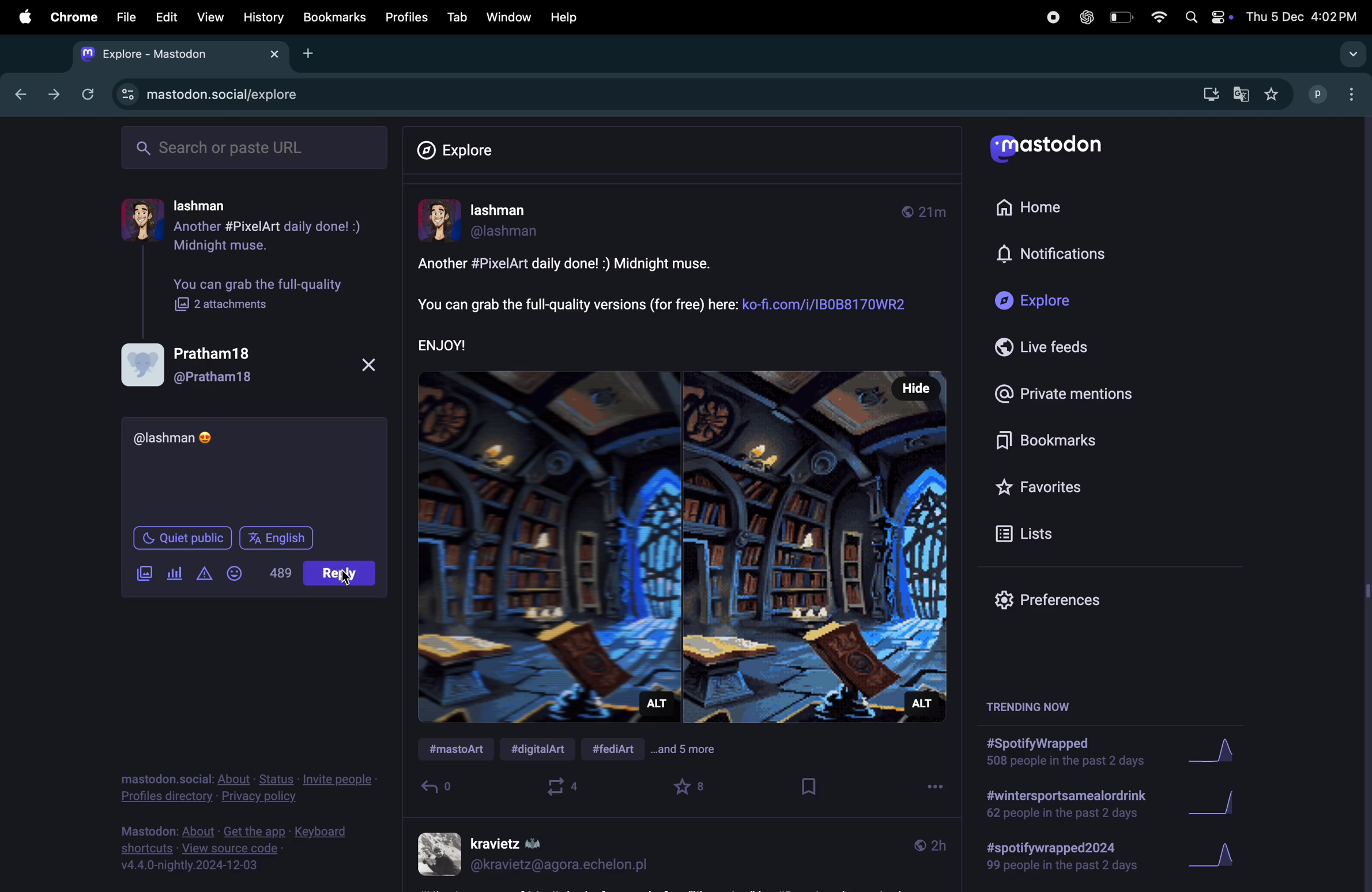 The image size is (1372, 892). Describe the element at coordinates (566, 788) in the screenshot. I see `boost` at that location.